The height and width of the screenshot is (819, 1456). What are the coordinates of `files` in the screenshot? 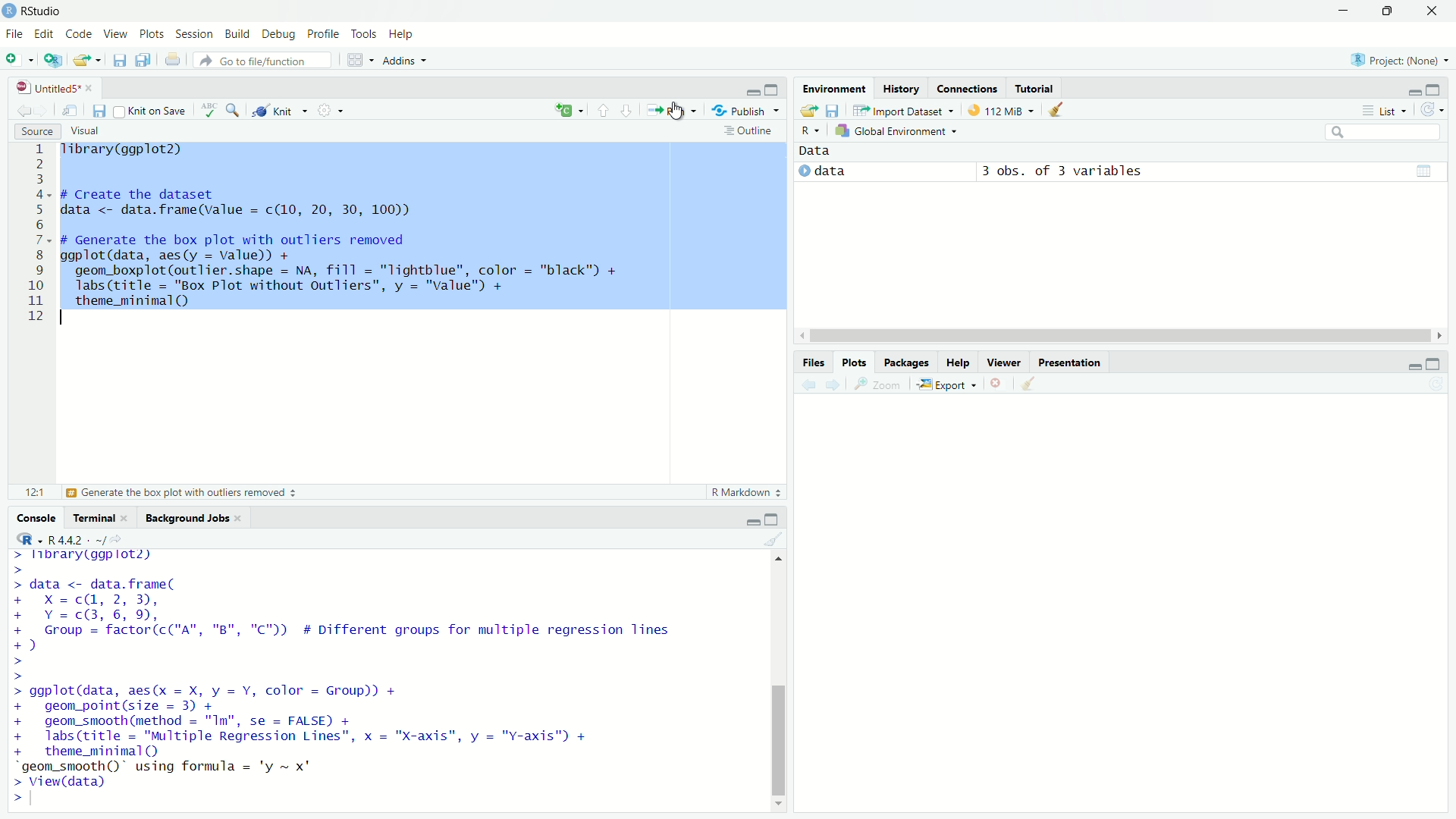 It's located at (118, 61).